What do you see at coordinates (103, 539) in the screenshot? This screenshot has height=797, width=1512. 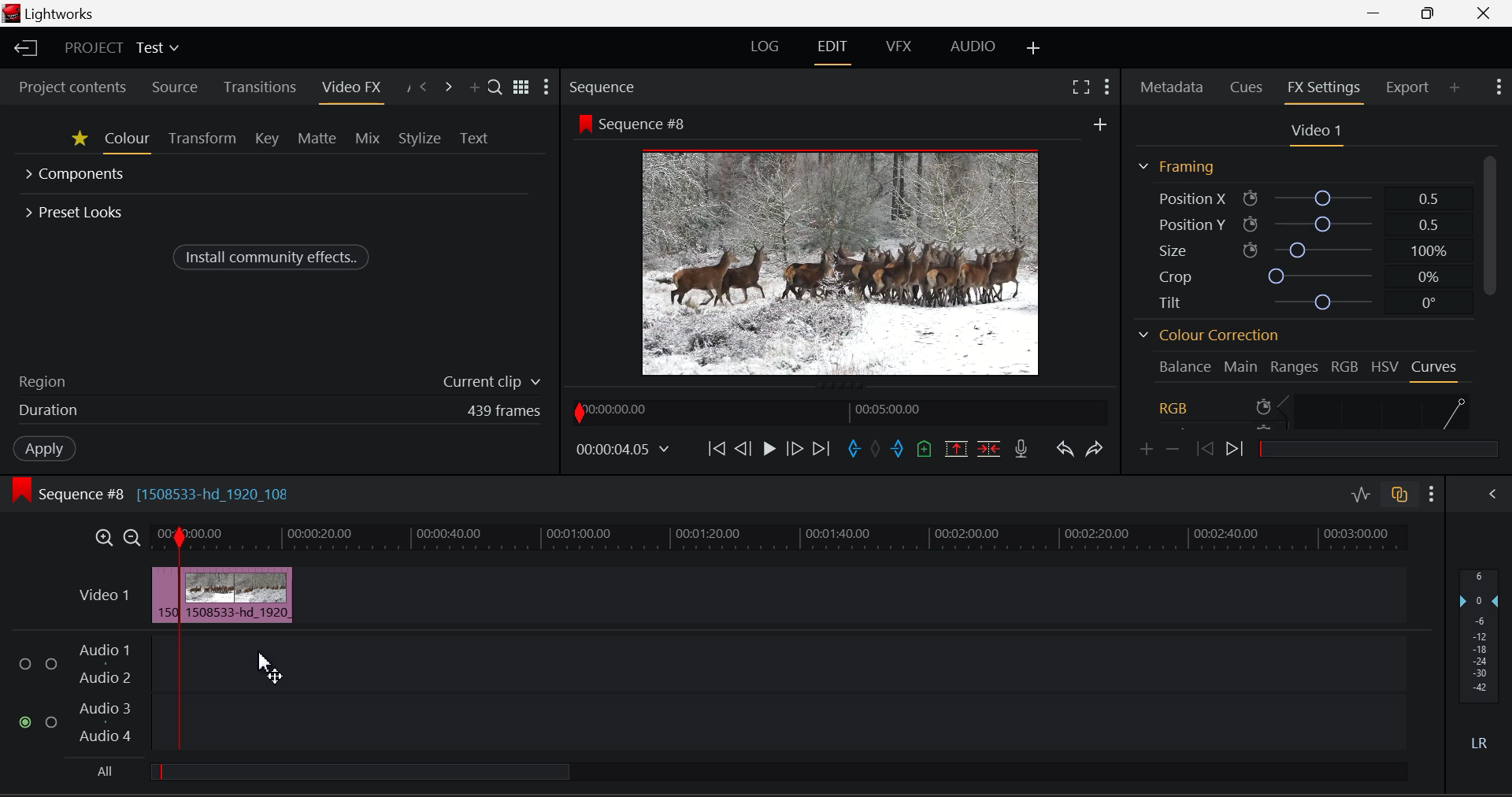 I see `Timeline Zoom In` at bounding box center [103, 539].